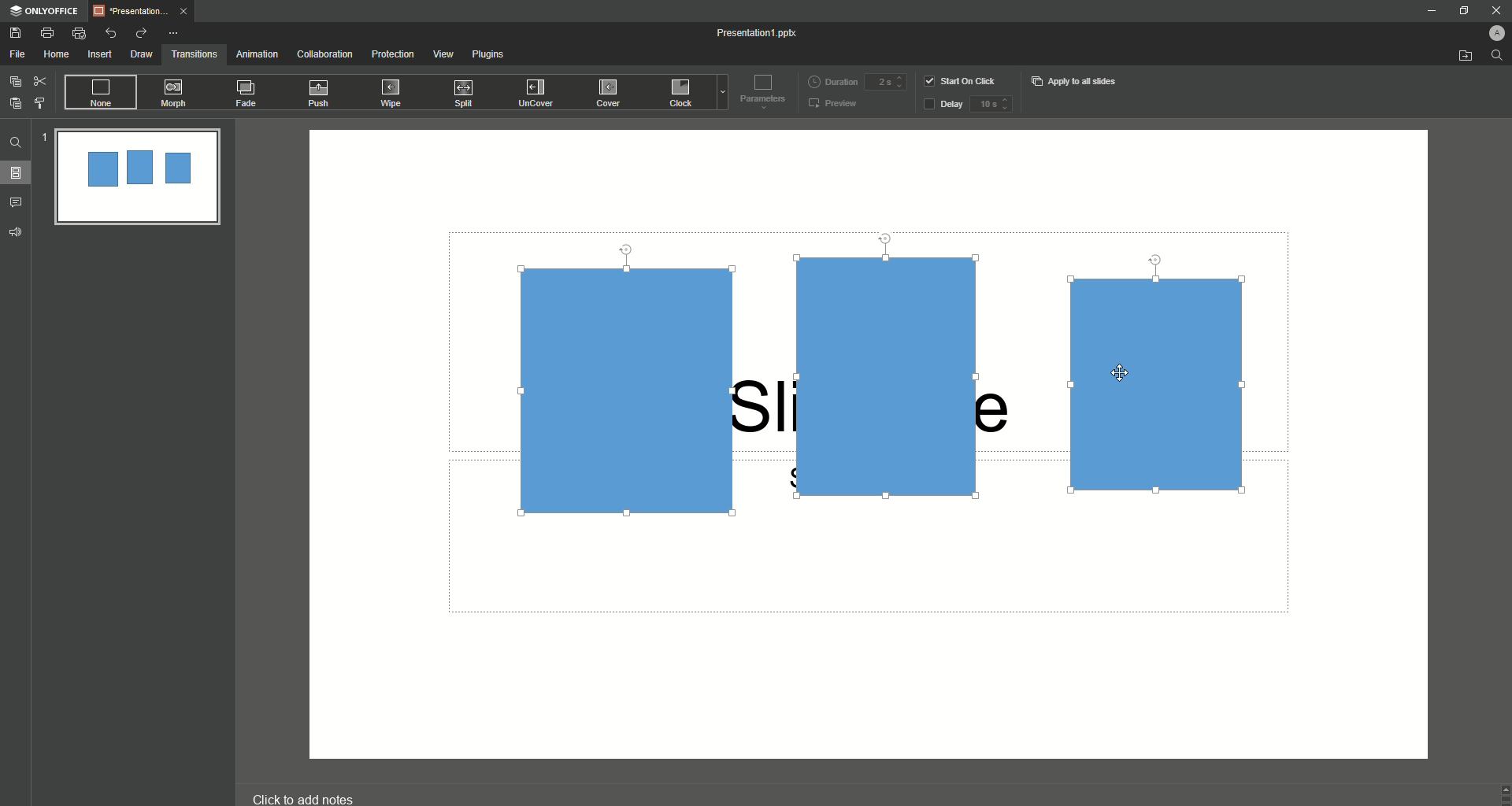 This screenshot has width=1512, height=806. Describe the element at coordinates (256, 54) in the screenshot. I see `Animation` at that location.